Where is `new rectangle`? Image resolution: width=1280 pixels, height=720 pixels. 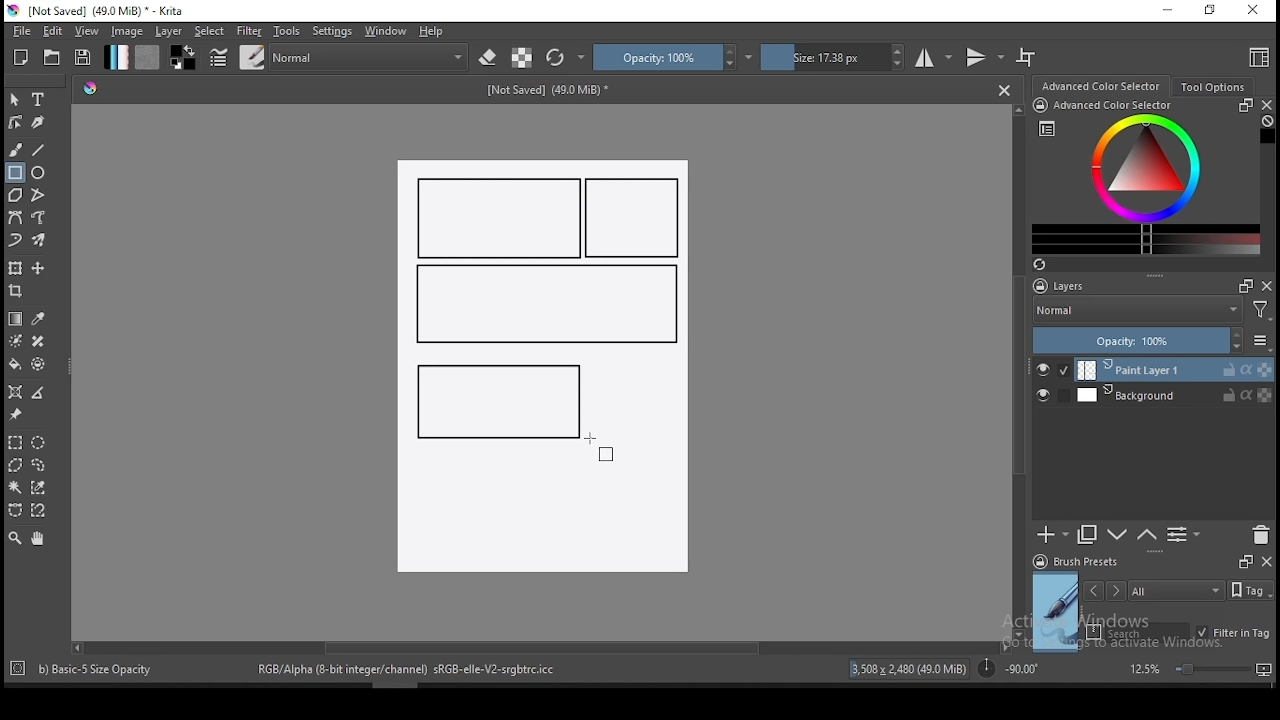 new rectangle is located at coordinates (494, 399).